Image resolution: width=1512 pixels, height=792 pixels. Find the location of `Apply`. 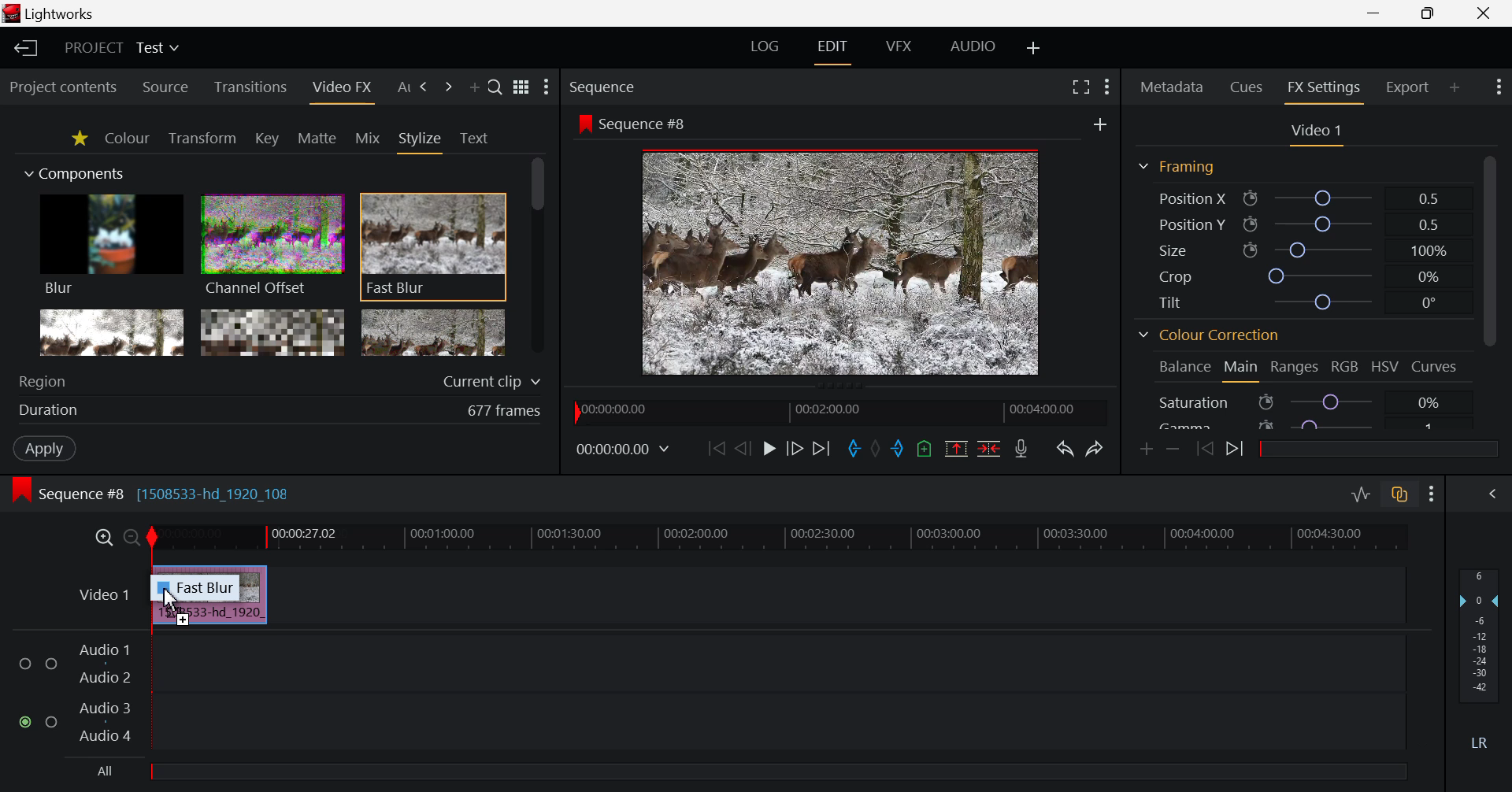

Apply is located at coordinates (46, 446).